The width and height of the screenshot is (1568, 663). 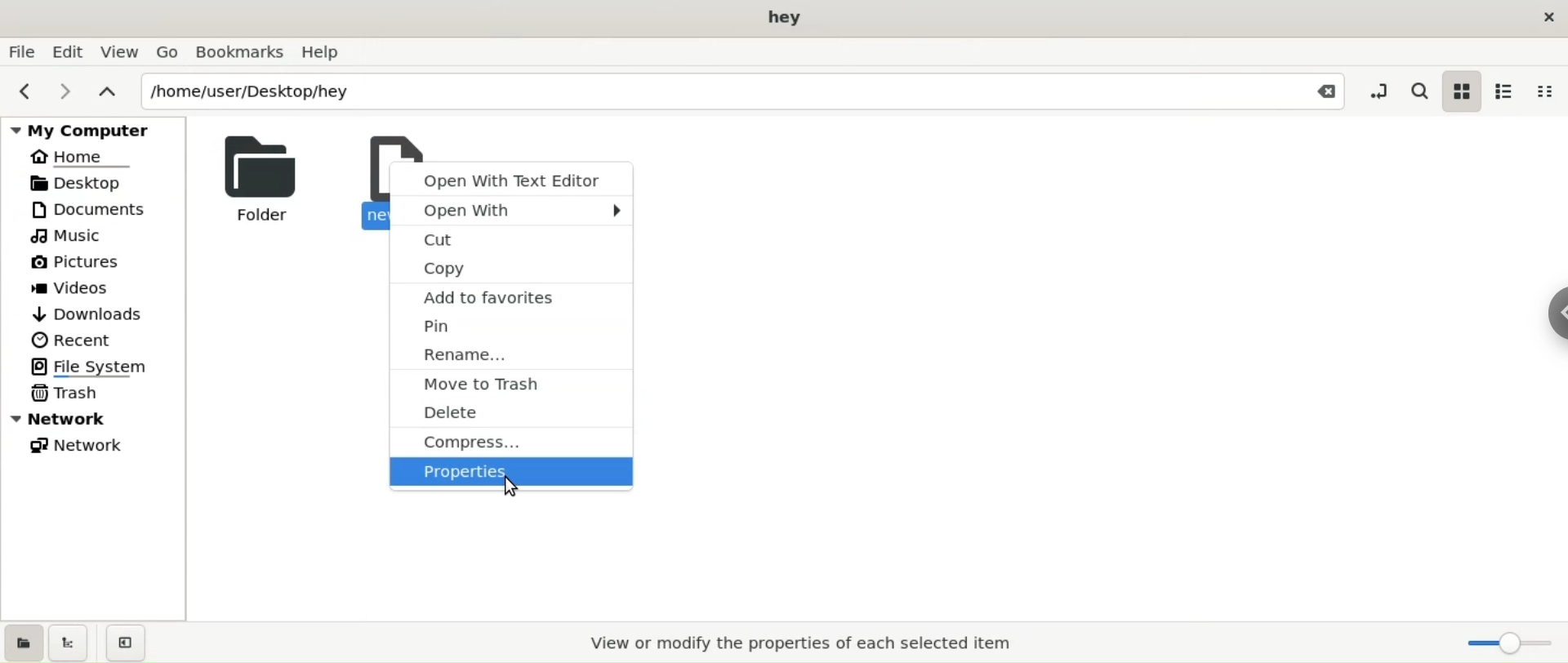 I want to click on Home, so click(x=97, y=158).